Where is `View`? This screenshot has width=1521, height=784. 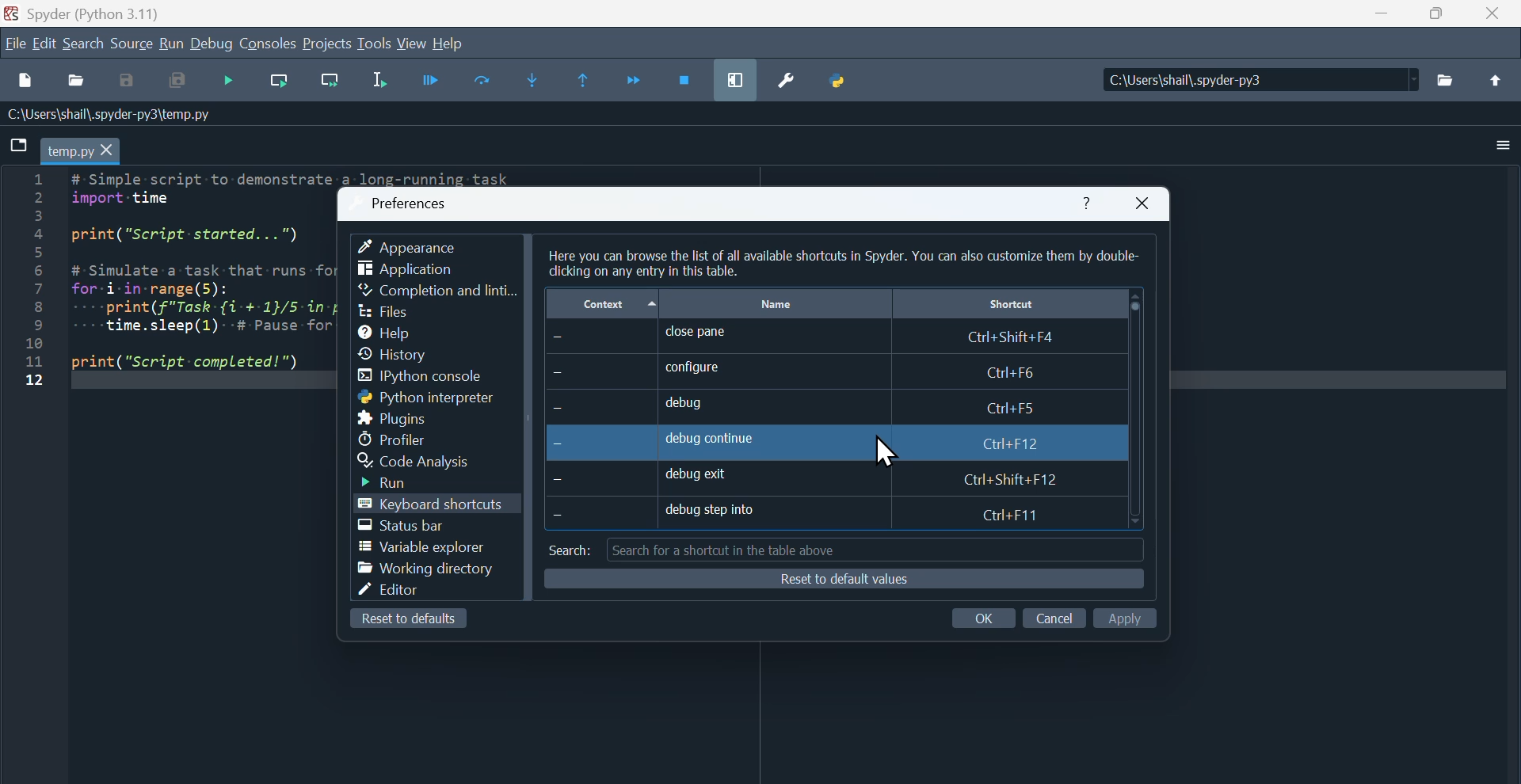
View is located at coordinates (414, 44).